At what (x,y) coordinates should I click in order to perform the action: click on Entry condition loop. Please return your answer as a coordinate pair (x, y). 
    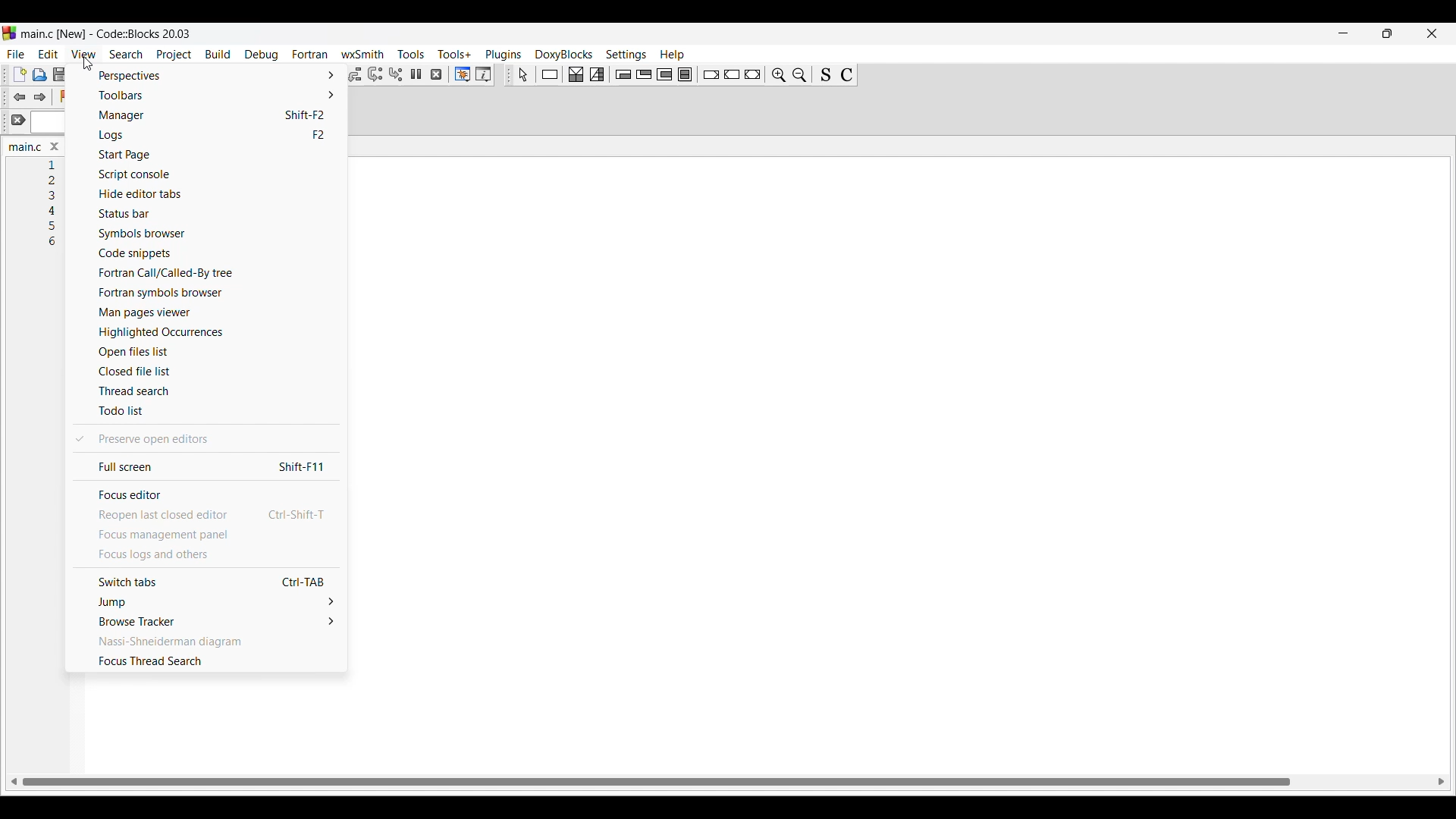
    Looking at the image, I should click on (624, 74).